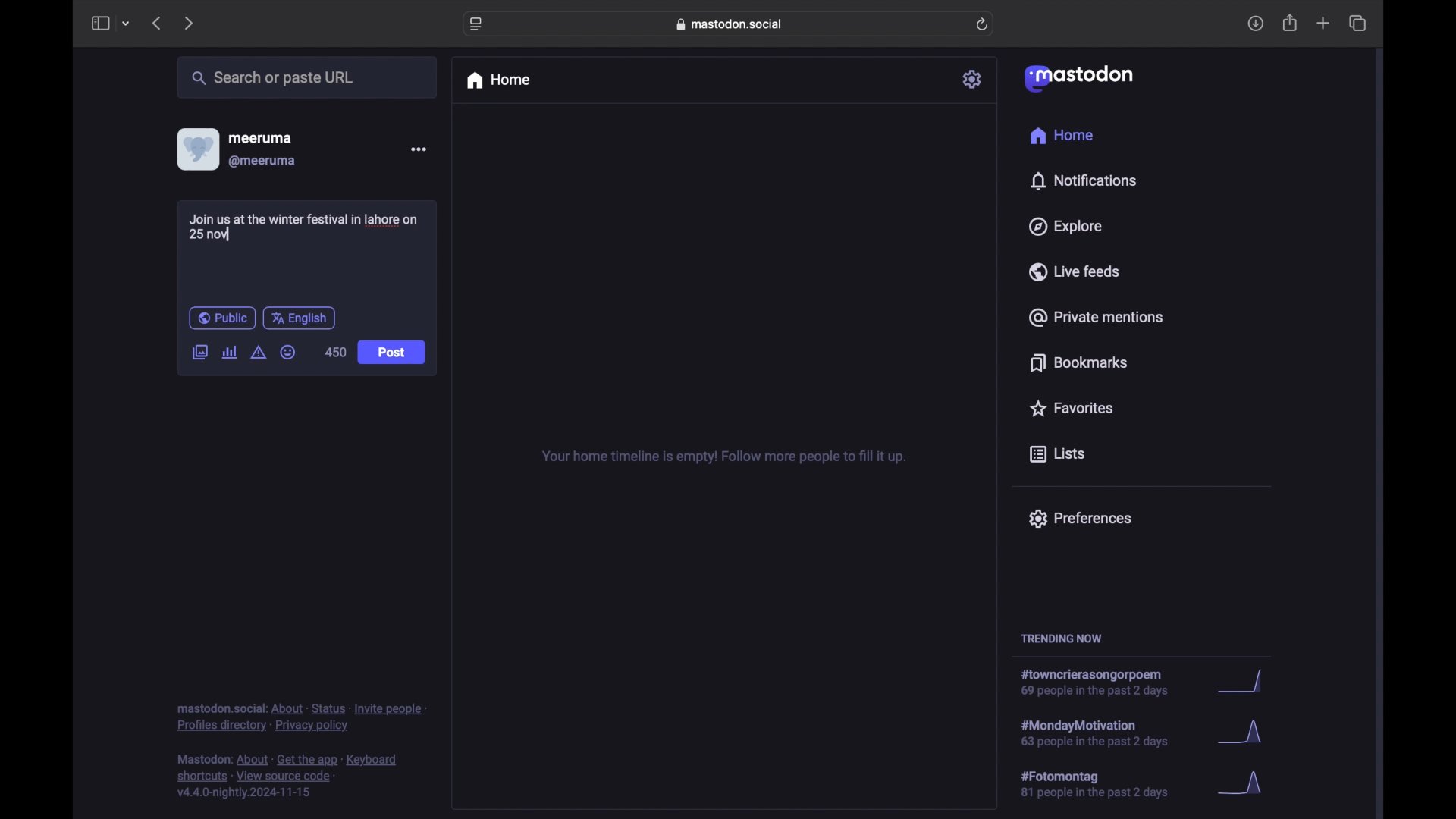 Image resolution: width=1456 pixels, height=819 pixels. Describe the element at coordinates (258, 353) in the screenshot. I see `add content warning` at that location.